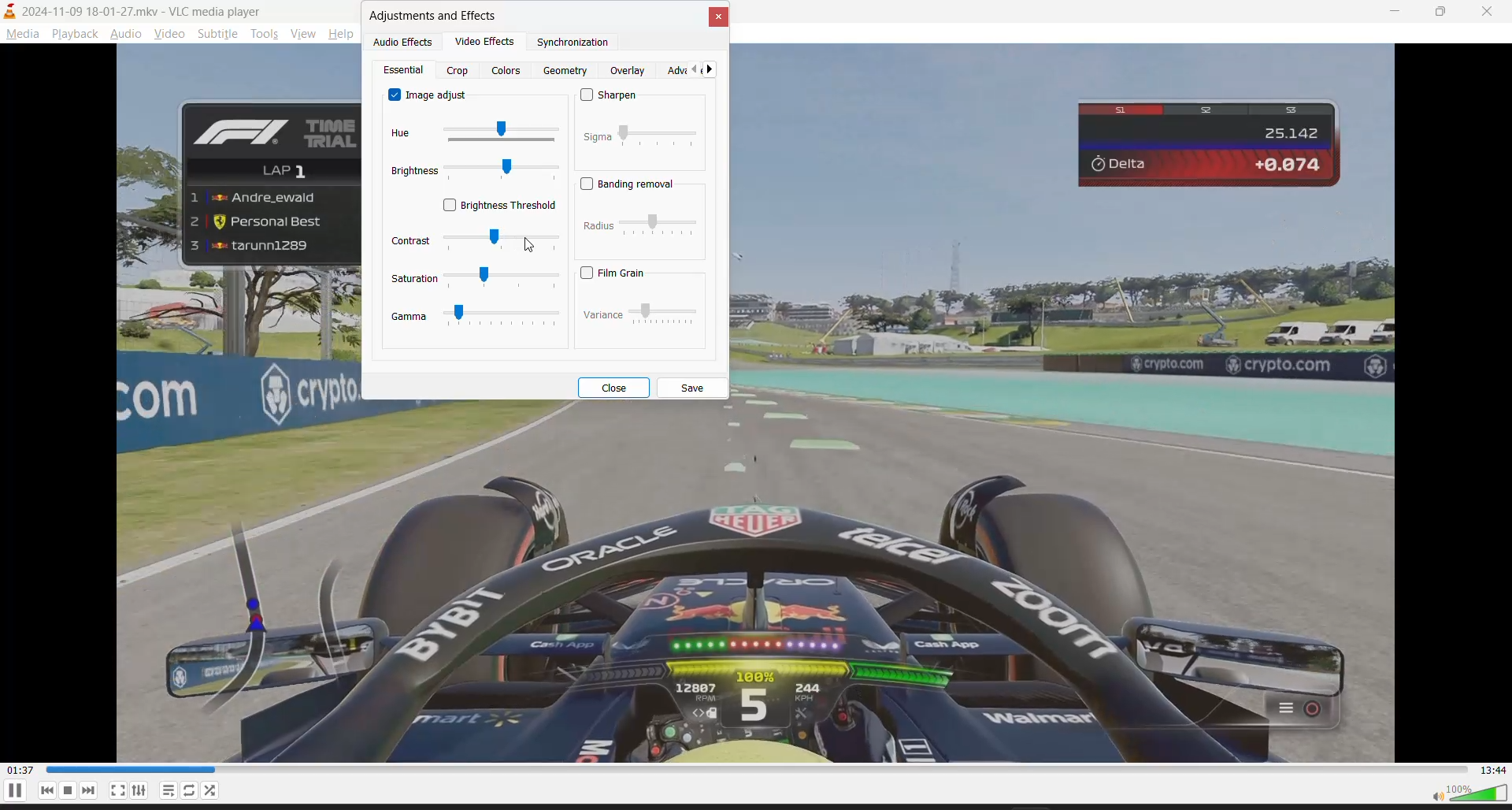 Image resolution: width=1512 pixels, height=810 pixels. What do you see at coordinates (1390, 12) in the screenshot?
I see `minimize` at bounding box center [1390, 12].